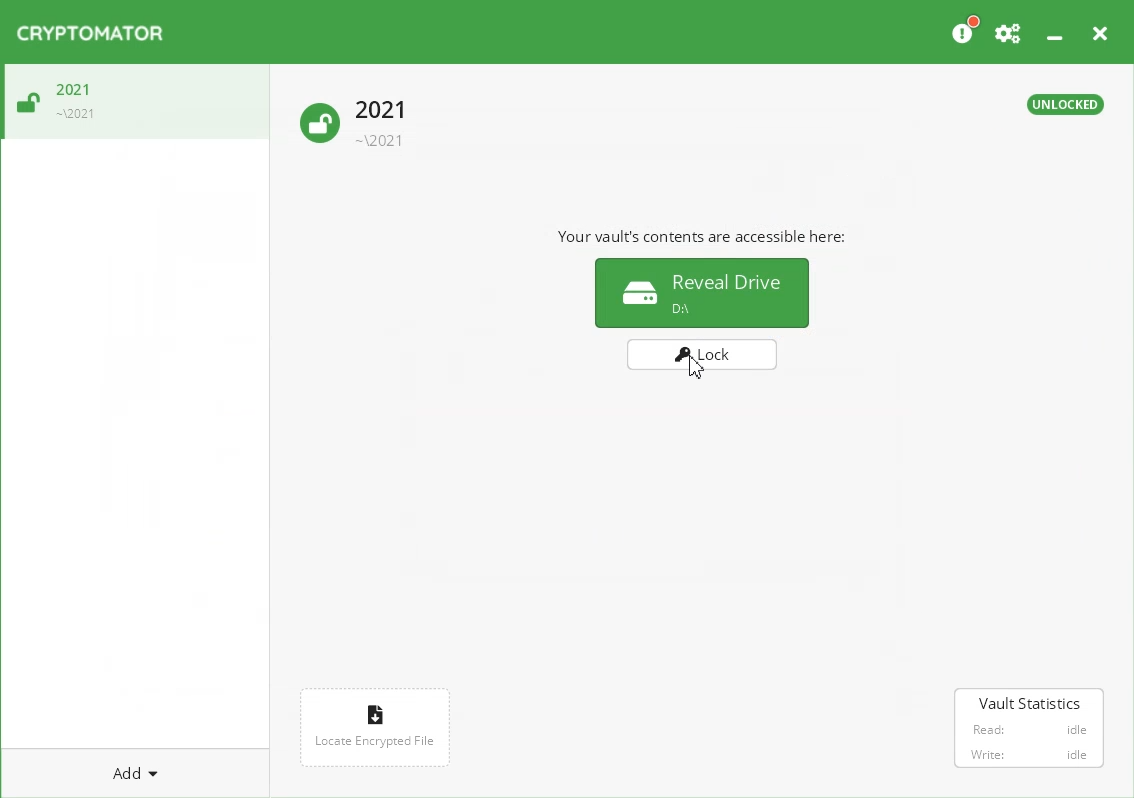  What do you see at coordinates (57, 97) in the screenshot?
I see `Unlock Vault` at bounding box center [57, 97].